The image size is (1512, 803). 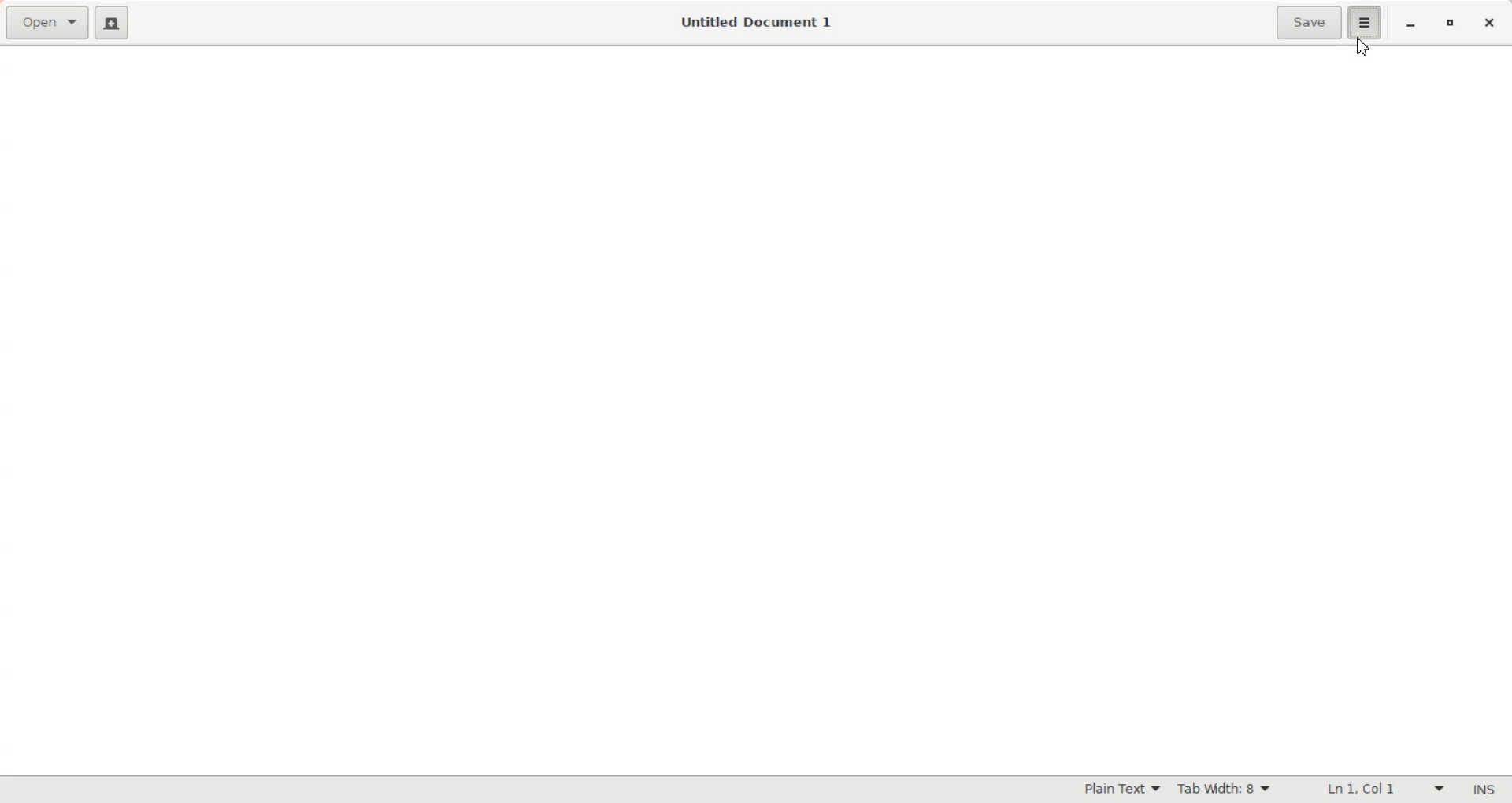 I want to click on Hamburger settings, so click(x=1365, y=23).